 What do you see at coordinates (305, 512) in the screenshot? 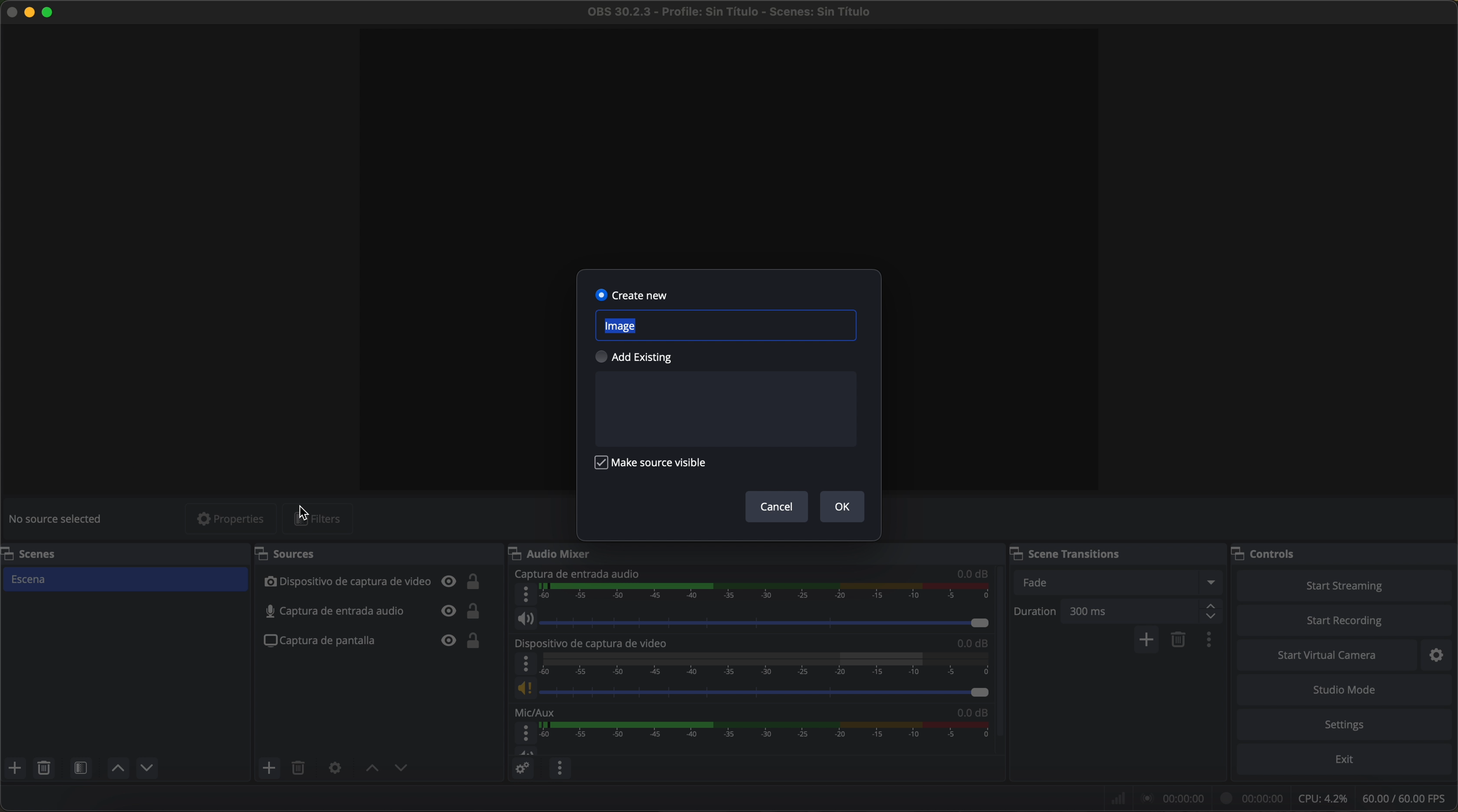
I see `mouse` at bounding box center [305, 512].